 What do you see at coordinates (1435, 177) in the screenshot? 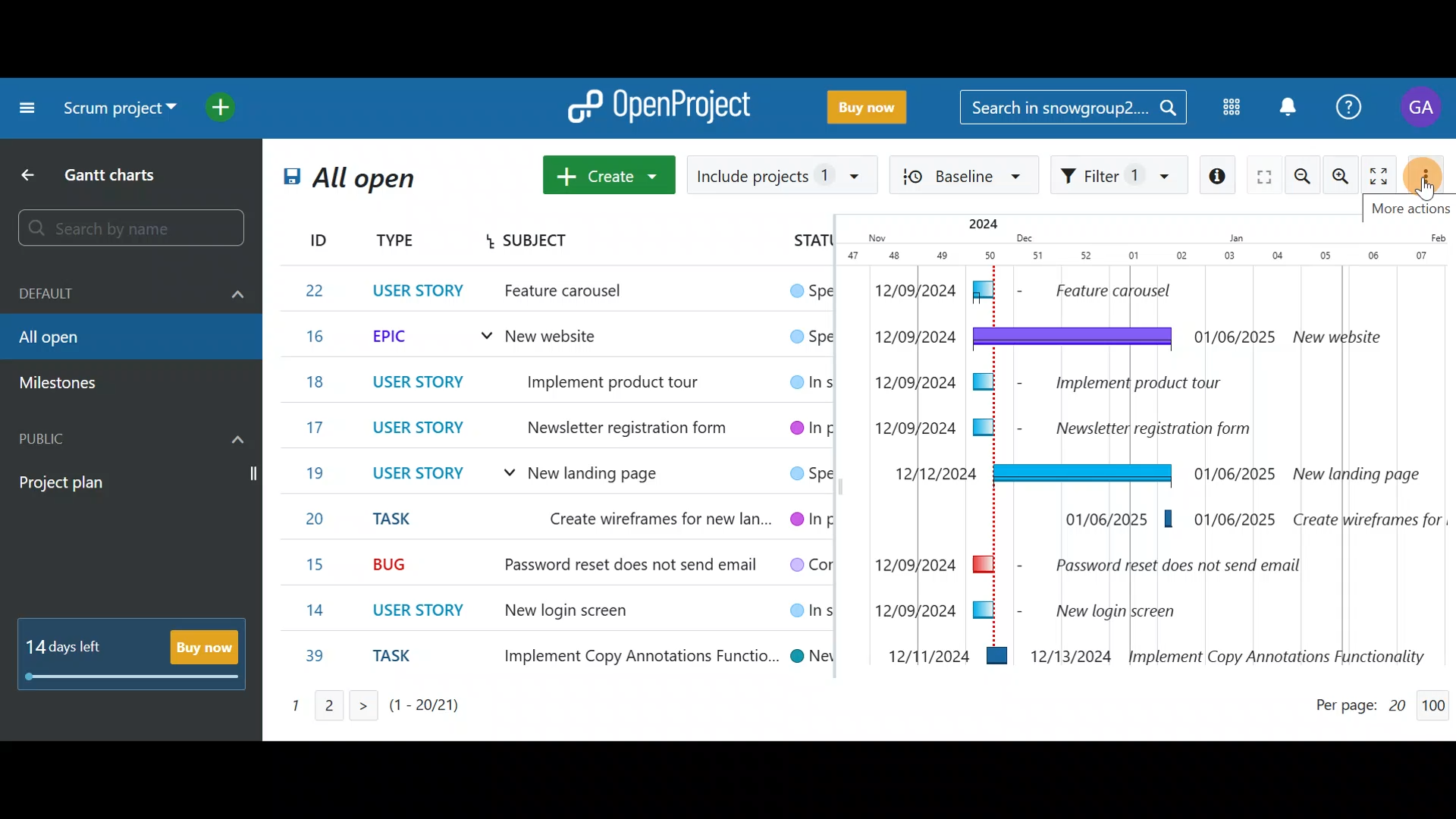
I see `Cursor on More actions` at bounding box center [1435, 177].